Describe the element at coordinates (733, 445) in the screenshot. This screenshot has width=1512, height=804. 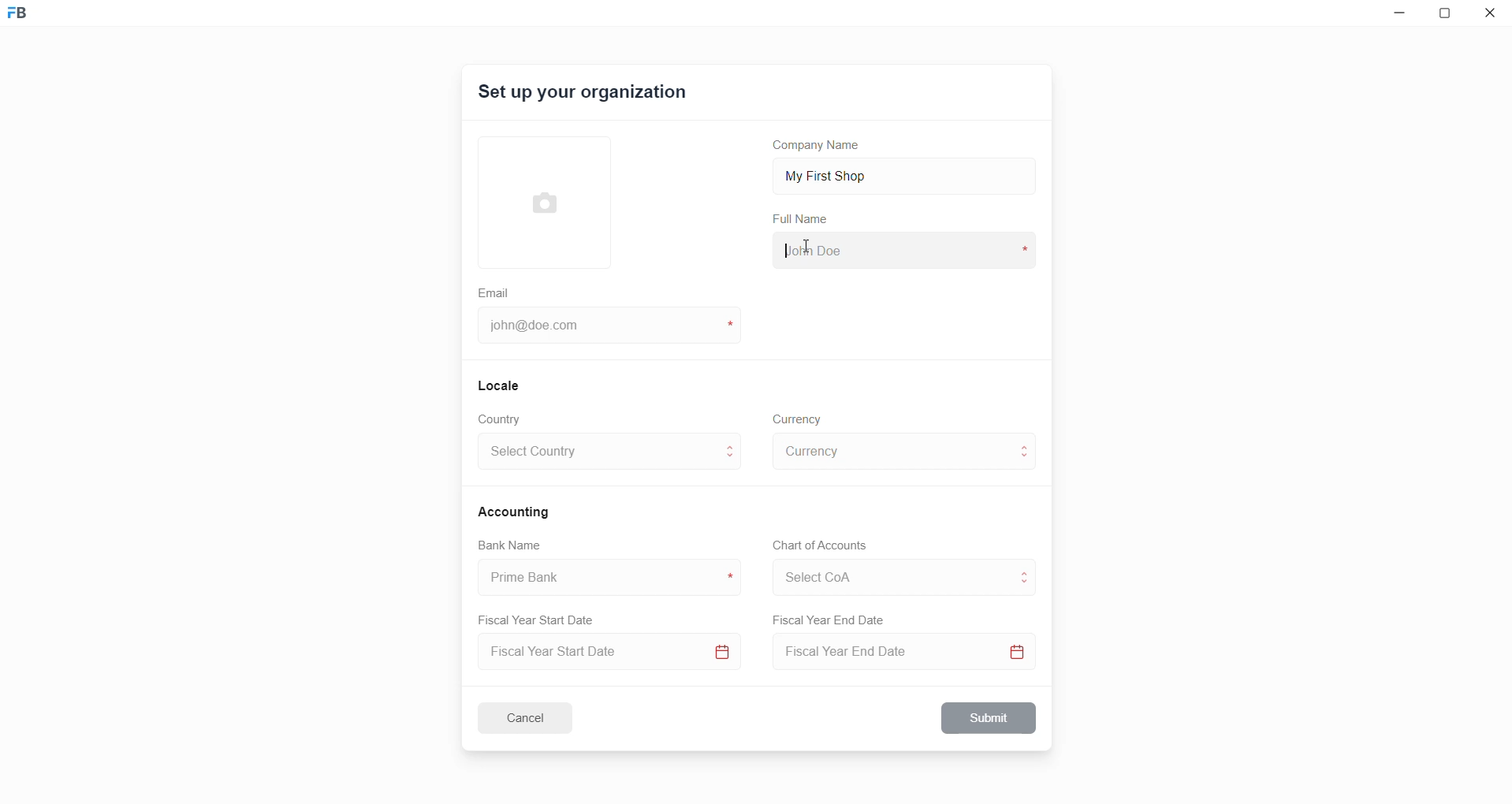
I see `move to above country` at that location.